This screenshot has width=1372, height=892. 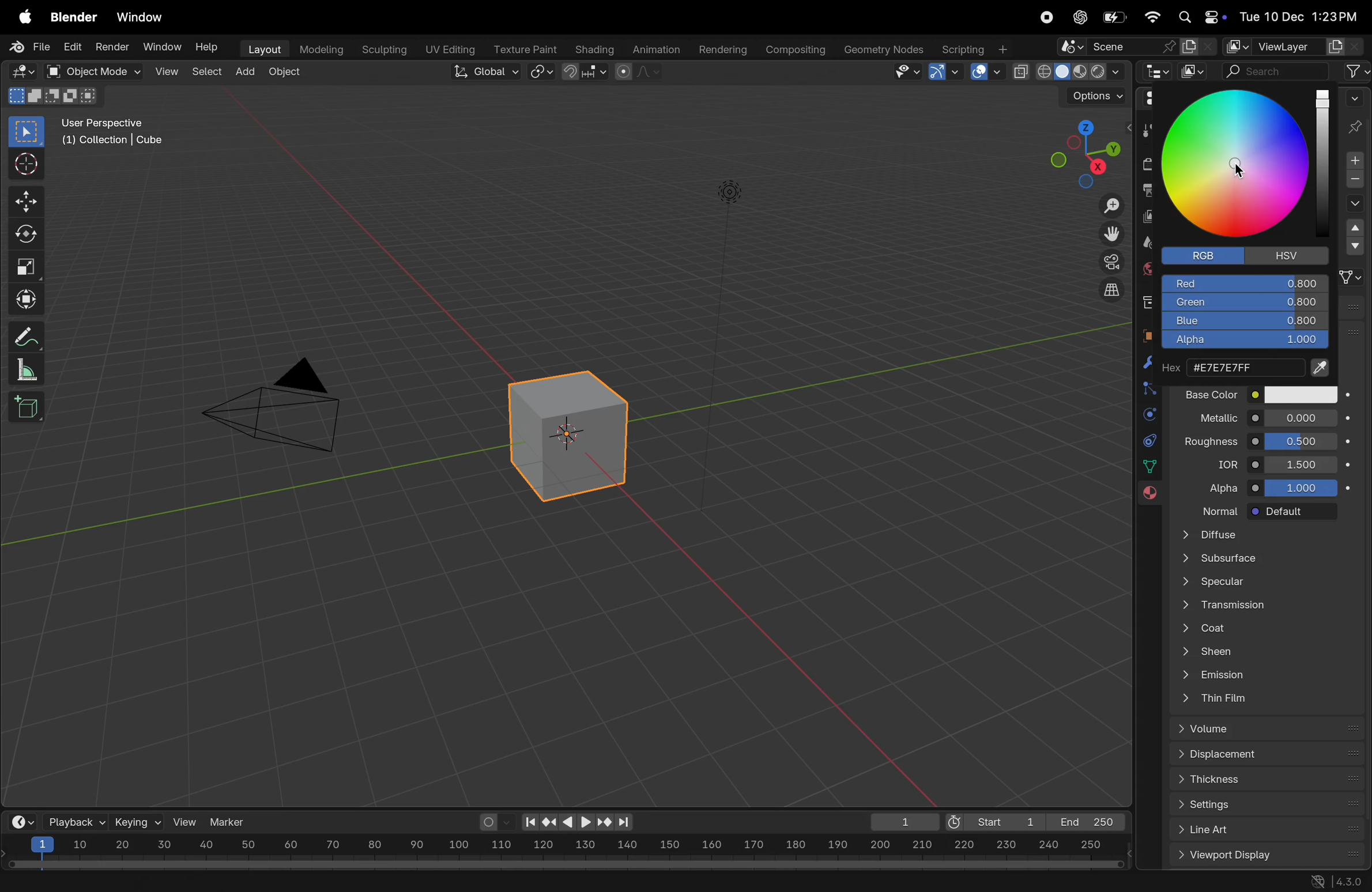 What do you see at coordinates (1150, 101) in the screenshot?
I see `editor type` at bounding box center [1150, 101].